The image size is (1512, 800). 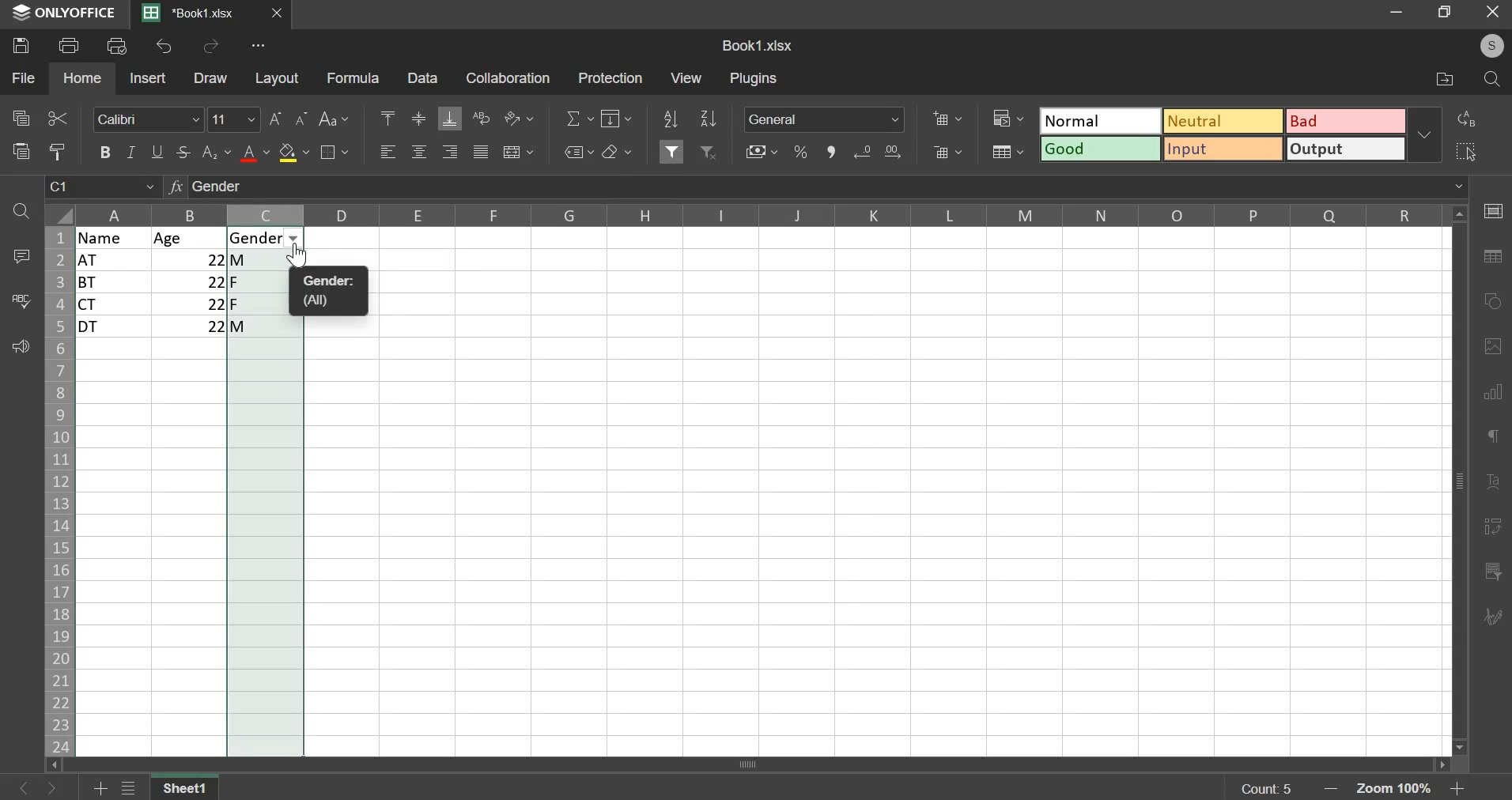 What do you see at coordinates (1491, 618) in the screenshot?
I see `signature` at bounding box center [1491, 618].